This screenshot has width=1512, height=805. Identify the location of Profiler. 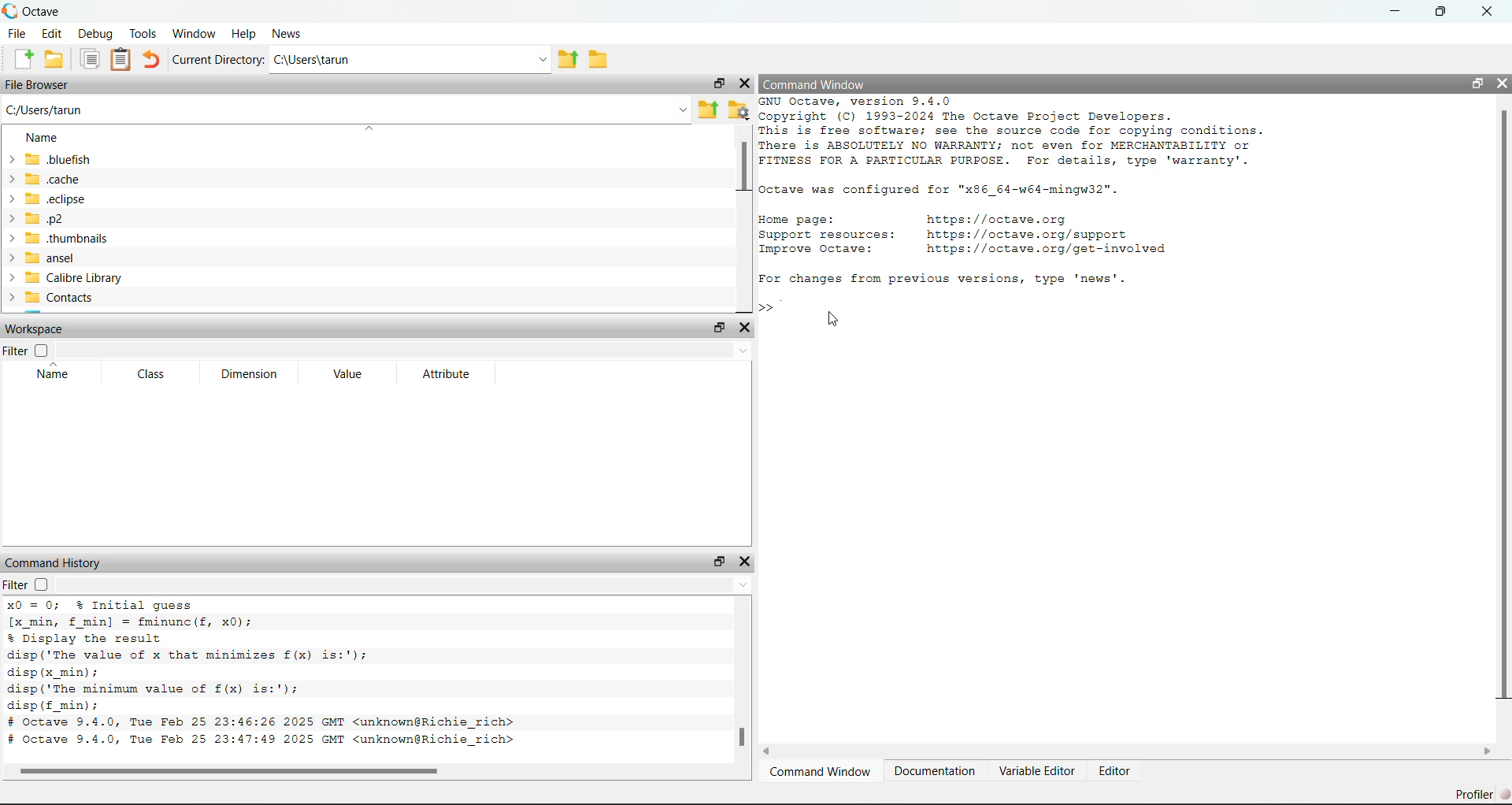
(1474, 789).